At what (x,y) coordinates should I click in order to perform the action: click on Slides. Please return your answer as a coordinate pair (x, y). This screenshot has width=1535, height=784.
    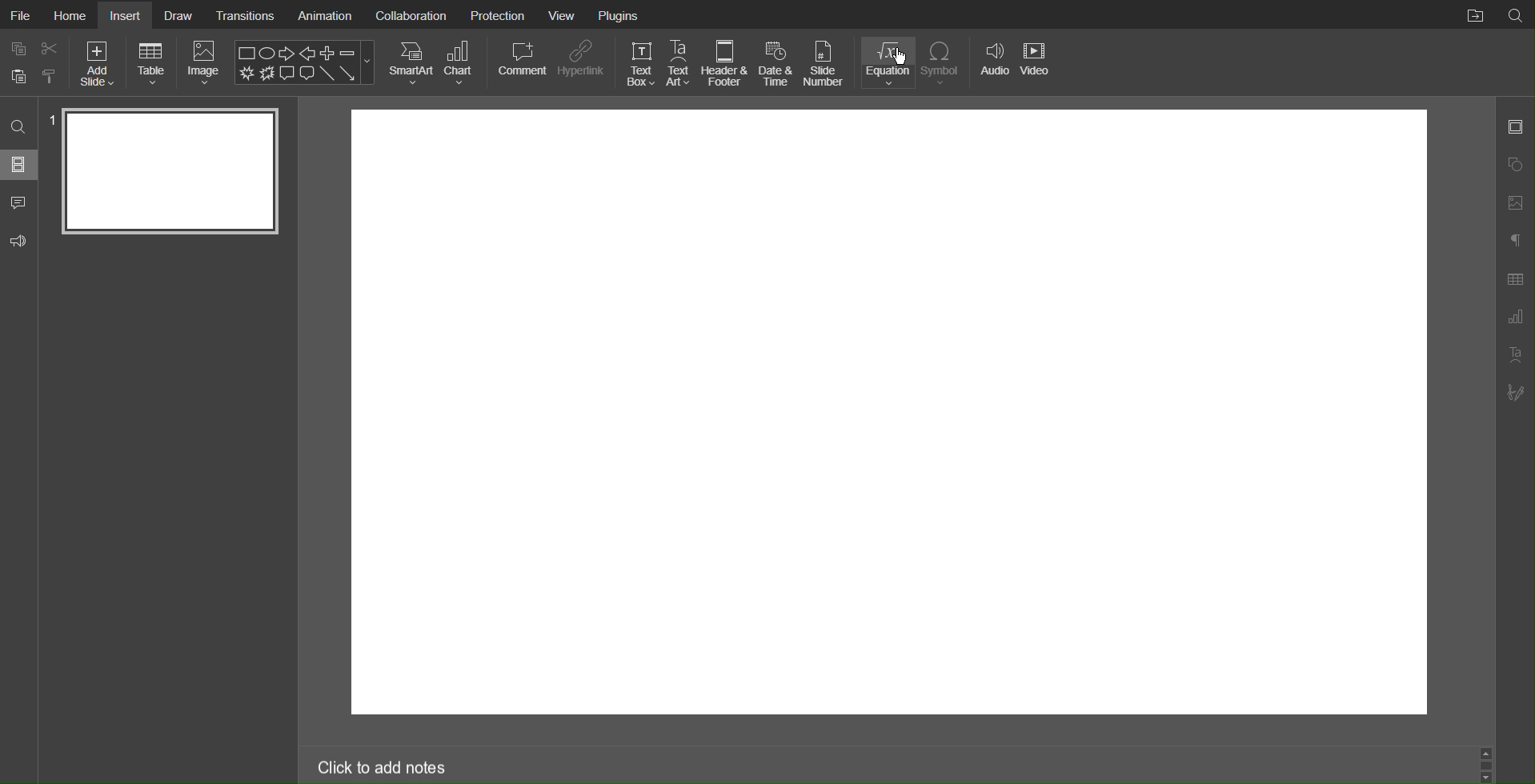
    Looking at the image, I should click on (18, 166).